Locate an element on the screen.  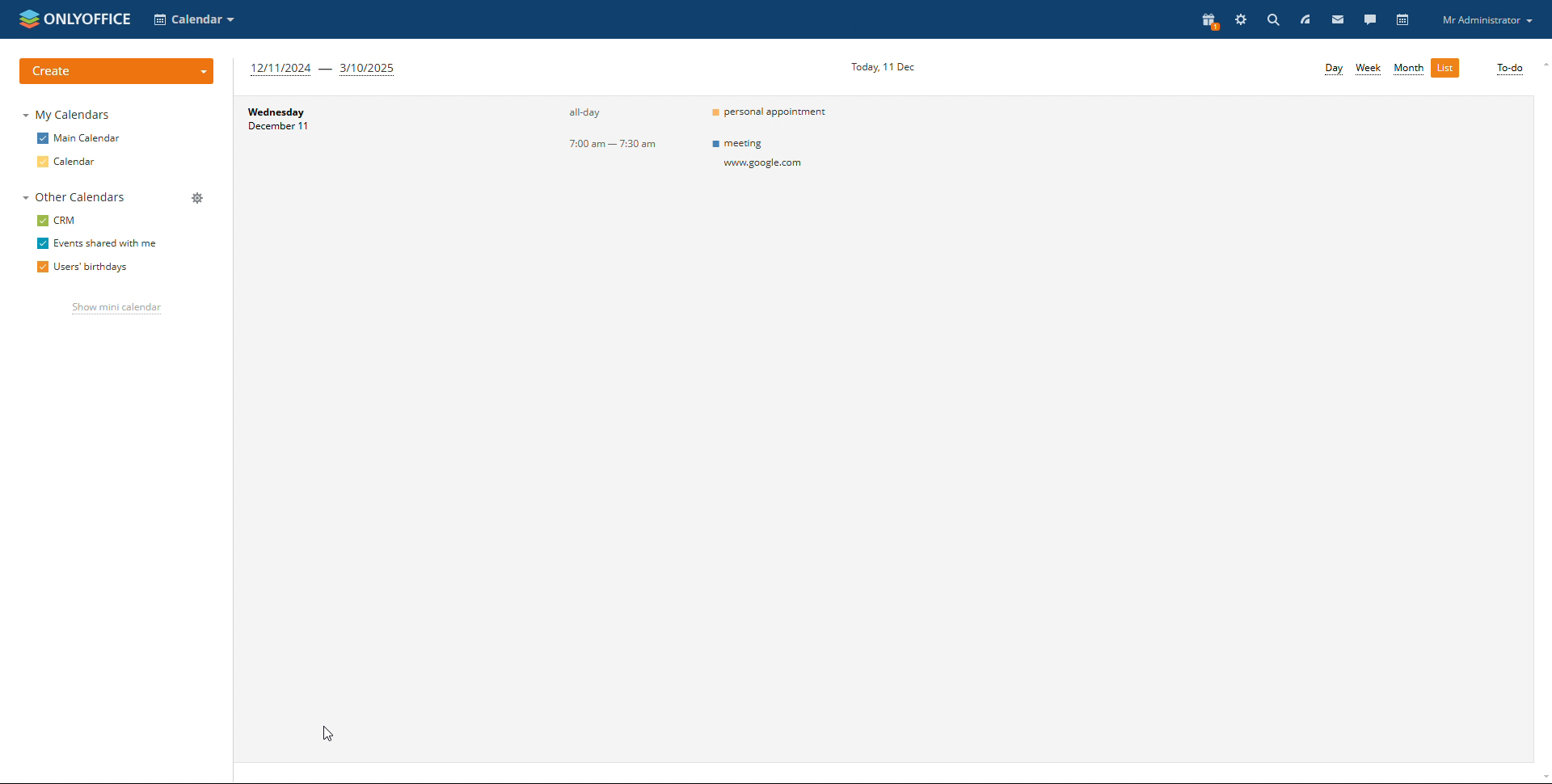
current date is located at coordinates (881, 68).